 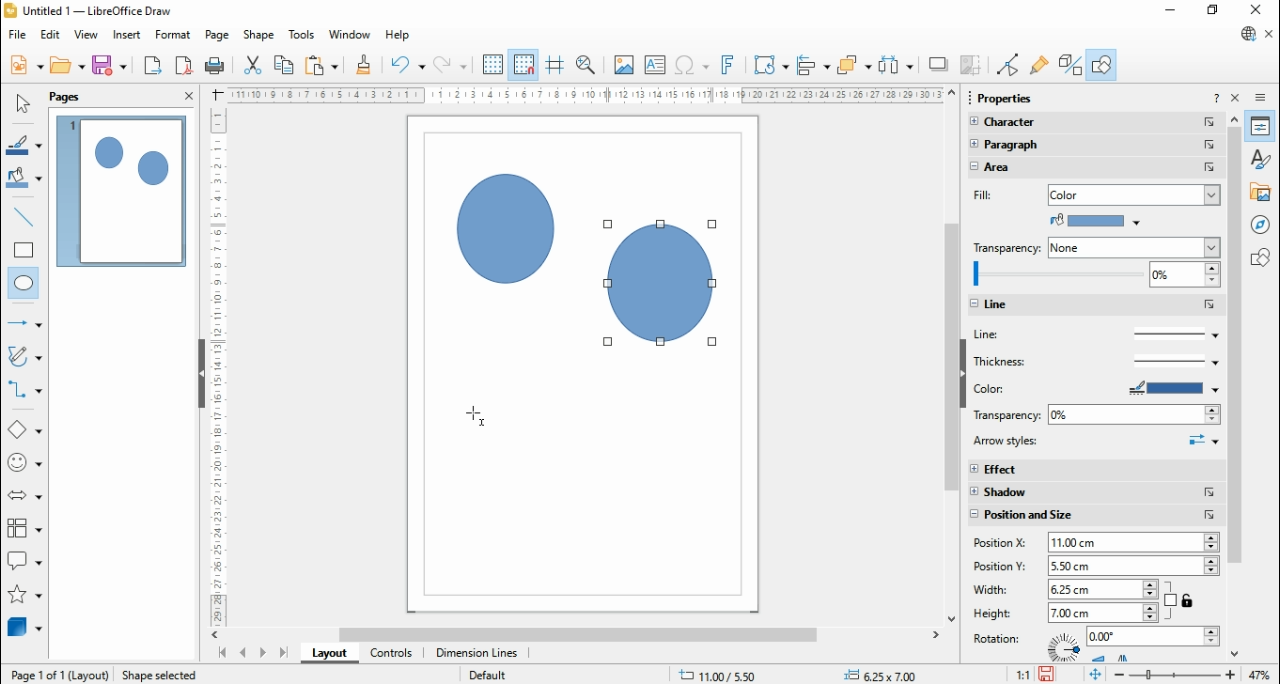 What do you see at coordinates (623, 64) in the screenshot?
I see `insert image` at bounding box center [623, 64].